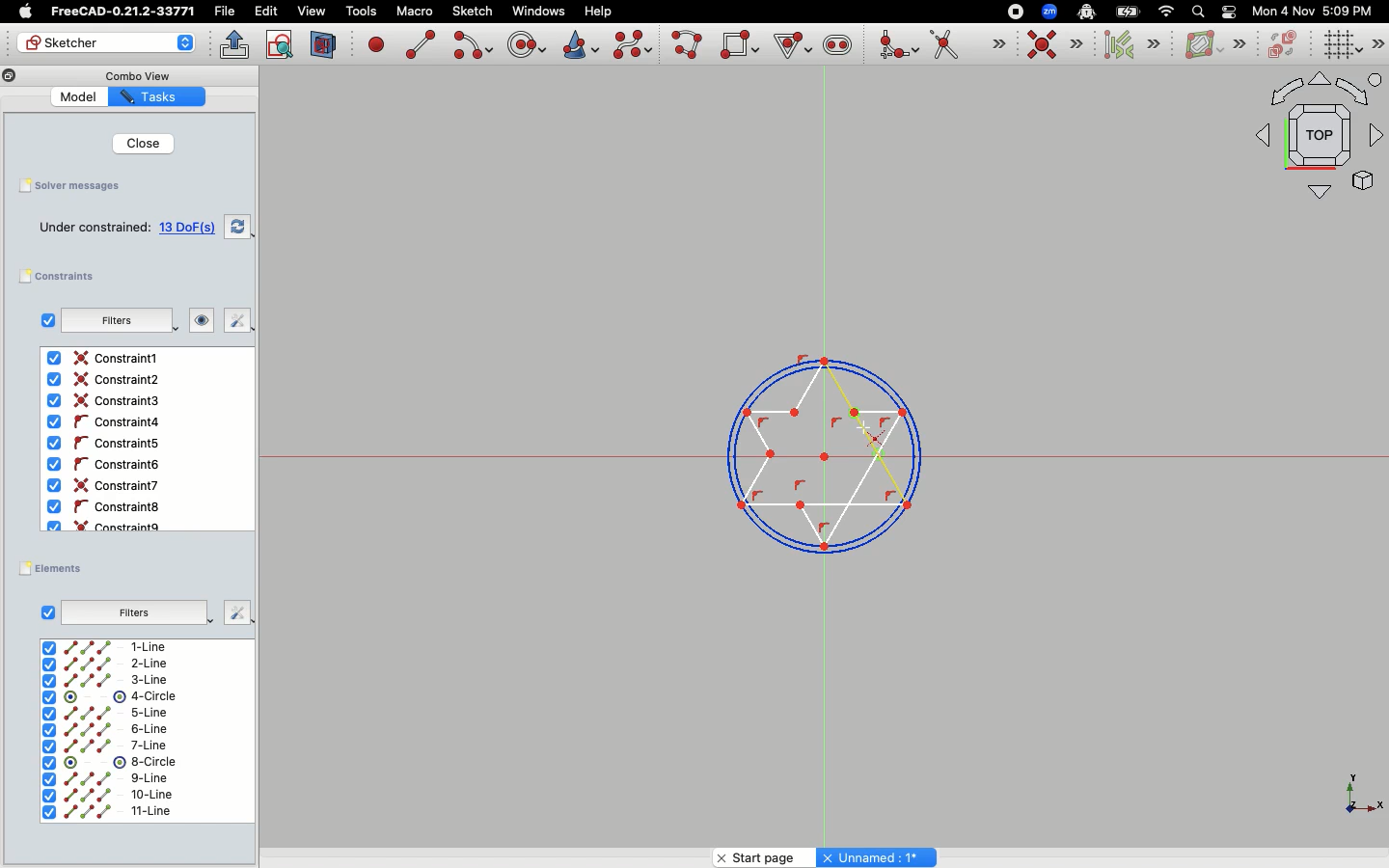  What do you see at coordinates (133, 610) in the screenshot?
I see `Filters` at bounding box center [133, 610].